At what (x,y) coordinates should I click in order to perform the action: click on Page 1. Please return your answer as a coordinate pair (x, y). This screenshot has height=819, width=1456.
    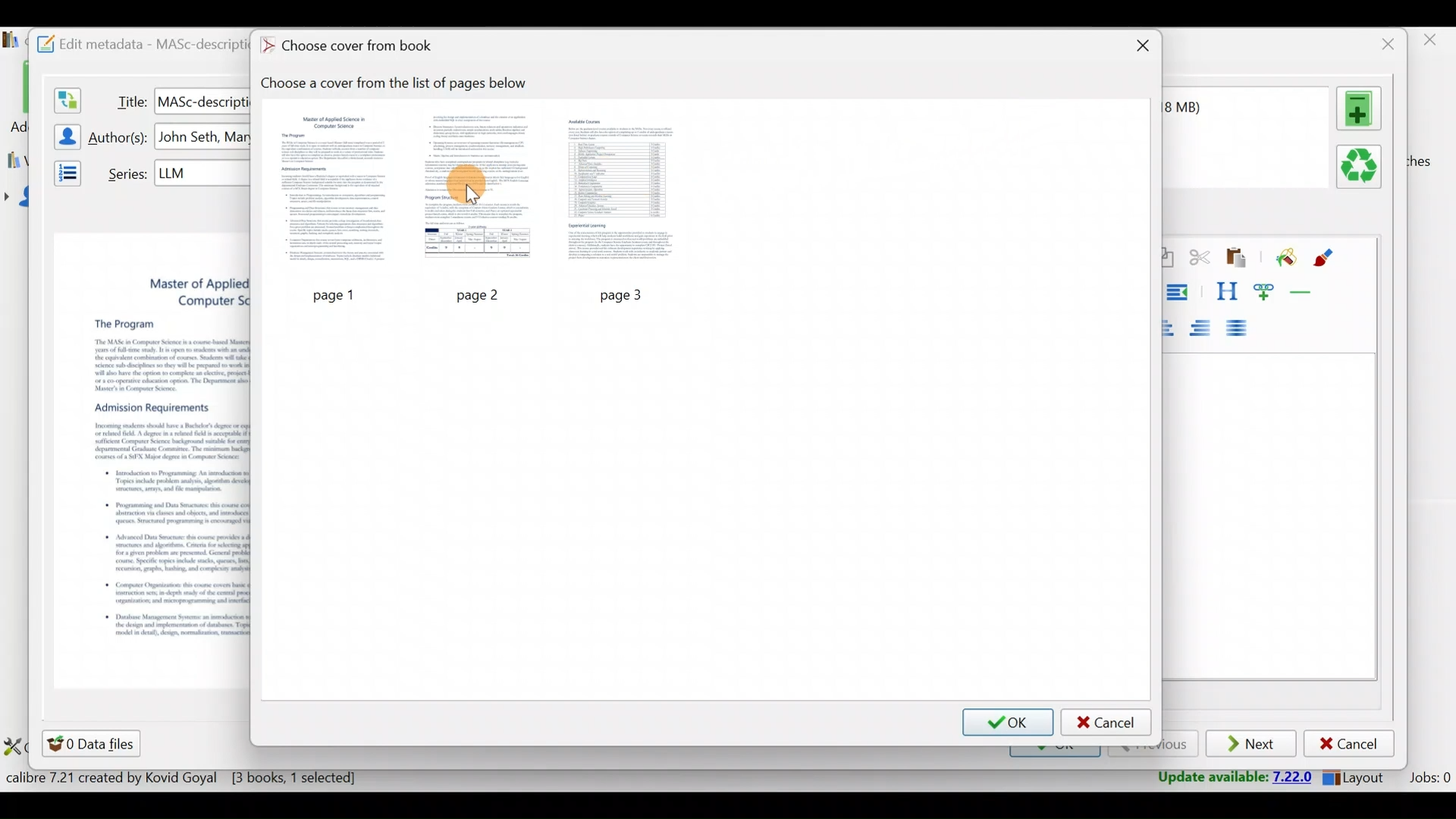
    Looking at the image, I should click on (337, 191).